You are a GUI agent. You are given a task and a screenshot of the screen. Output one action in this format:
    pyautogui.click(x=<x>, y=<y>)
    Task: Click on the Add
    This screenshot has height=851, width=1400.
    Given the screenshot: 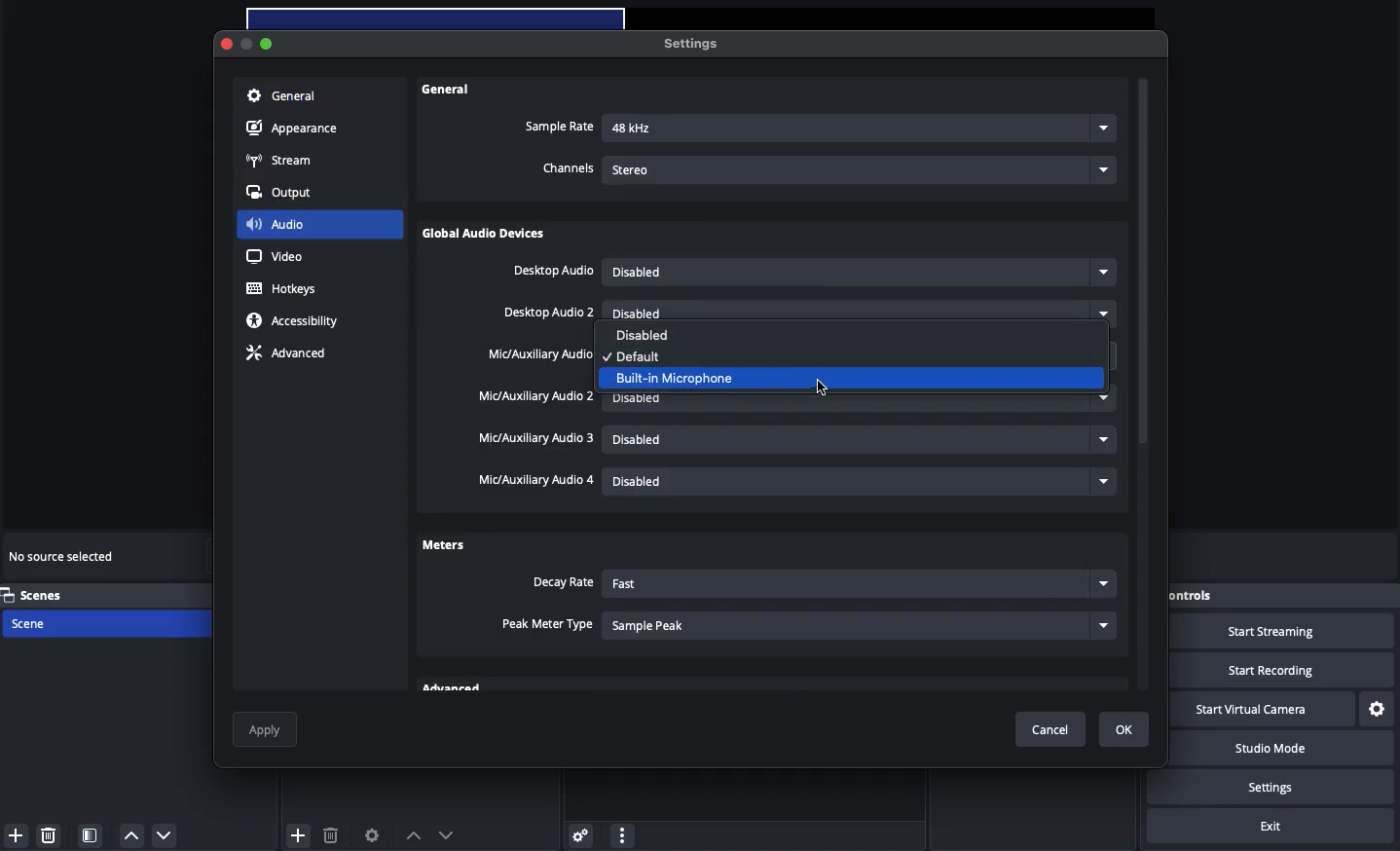 What is the action you would take?
    pyautogui.click(x=299, y=833)
    